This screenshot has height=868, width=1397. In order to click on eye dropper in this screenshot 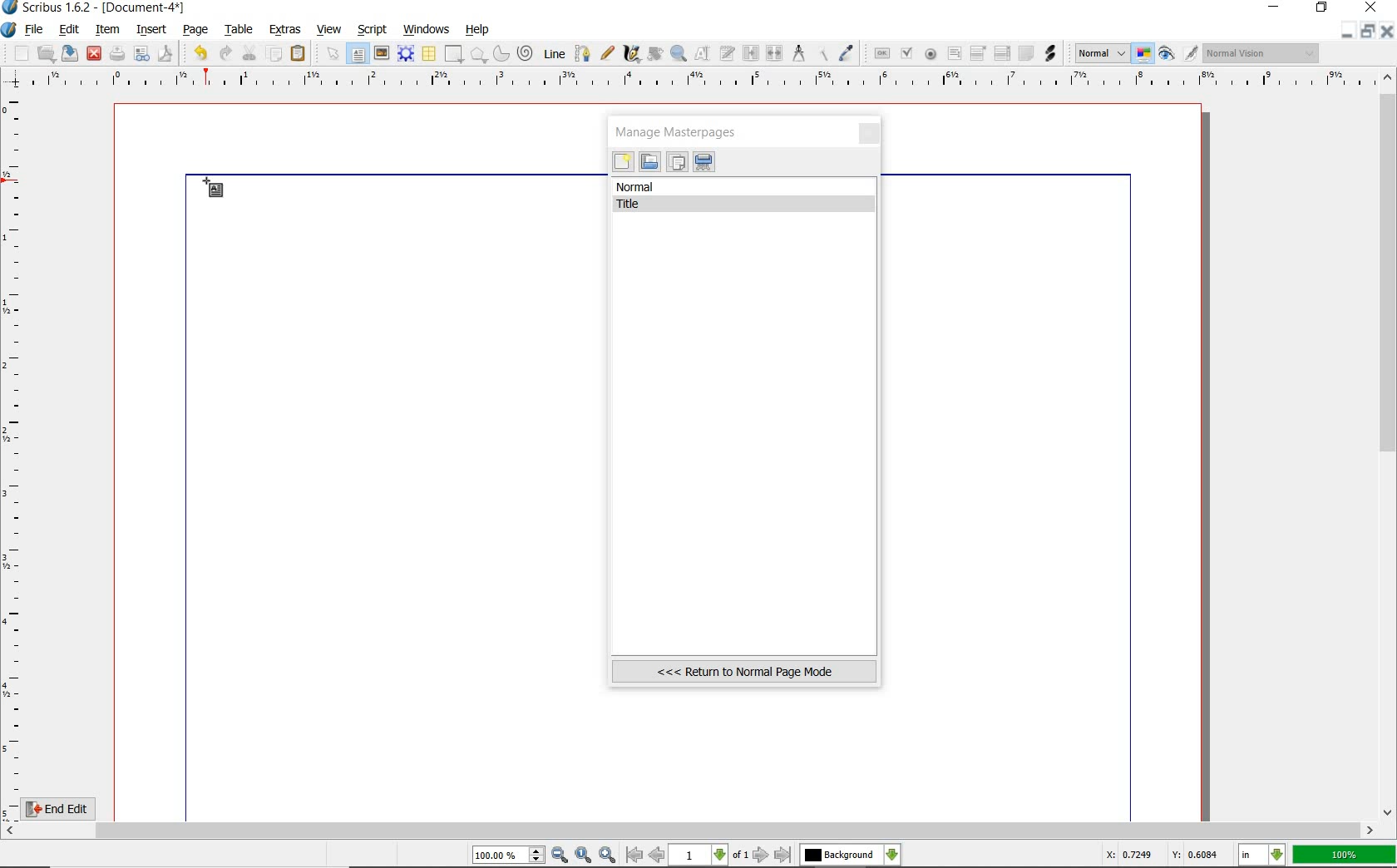, I will do `click(847, 53)`.